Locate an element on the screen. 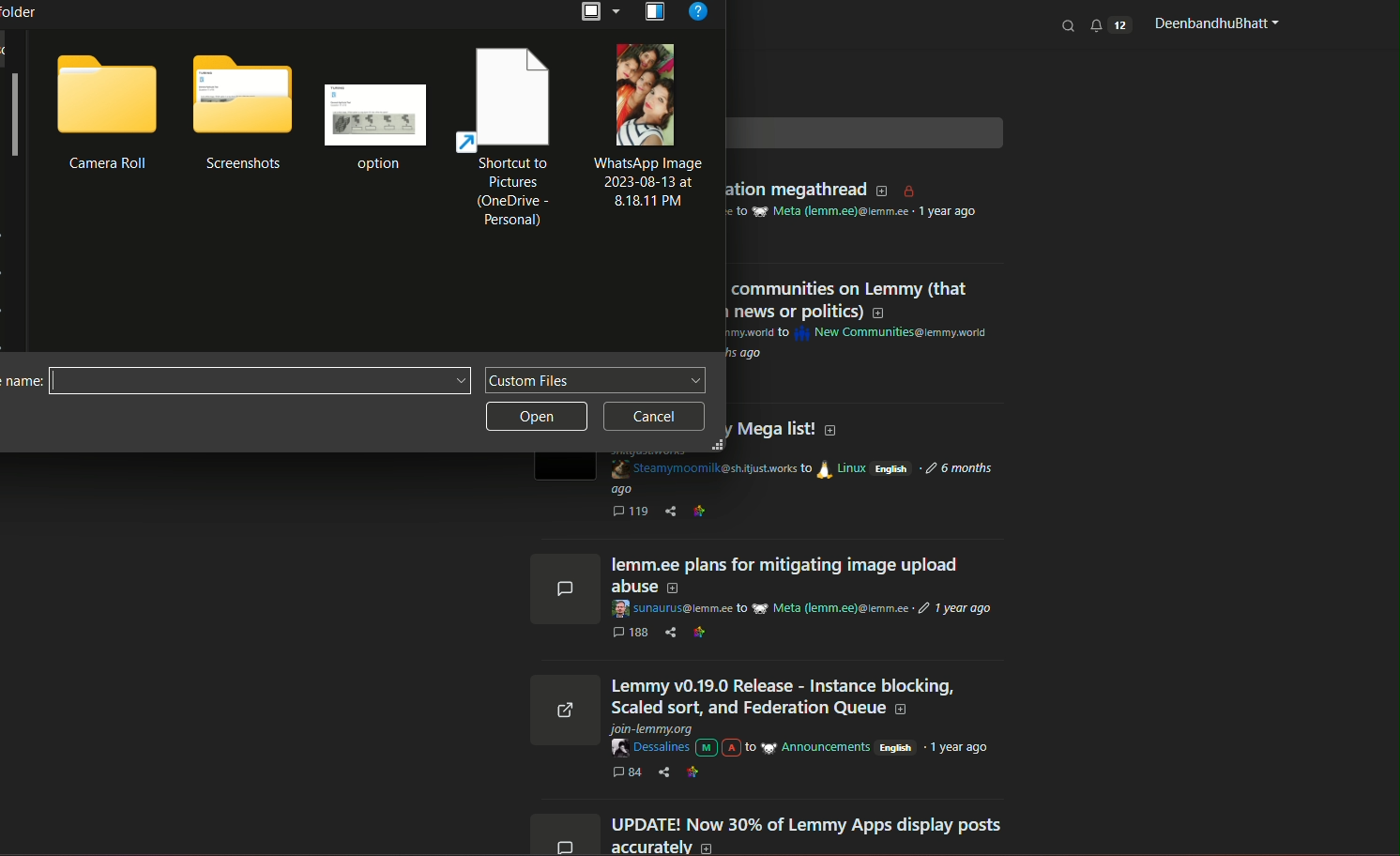 Image resolution: width=1400 pixels, height=856 pixels. icons is located at coordinates (562, 701).